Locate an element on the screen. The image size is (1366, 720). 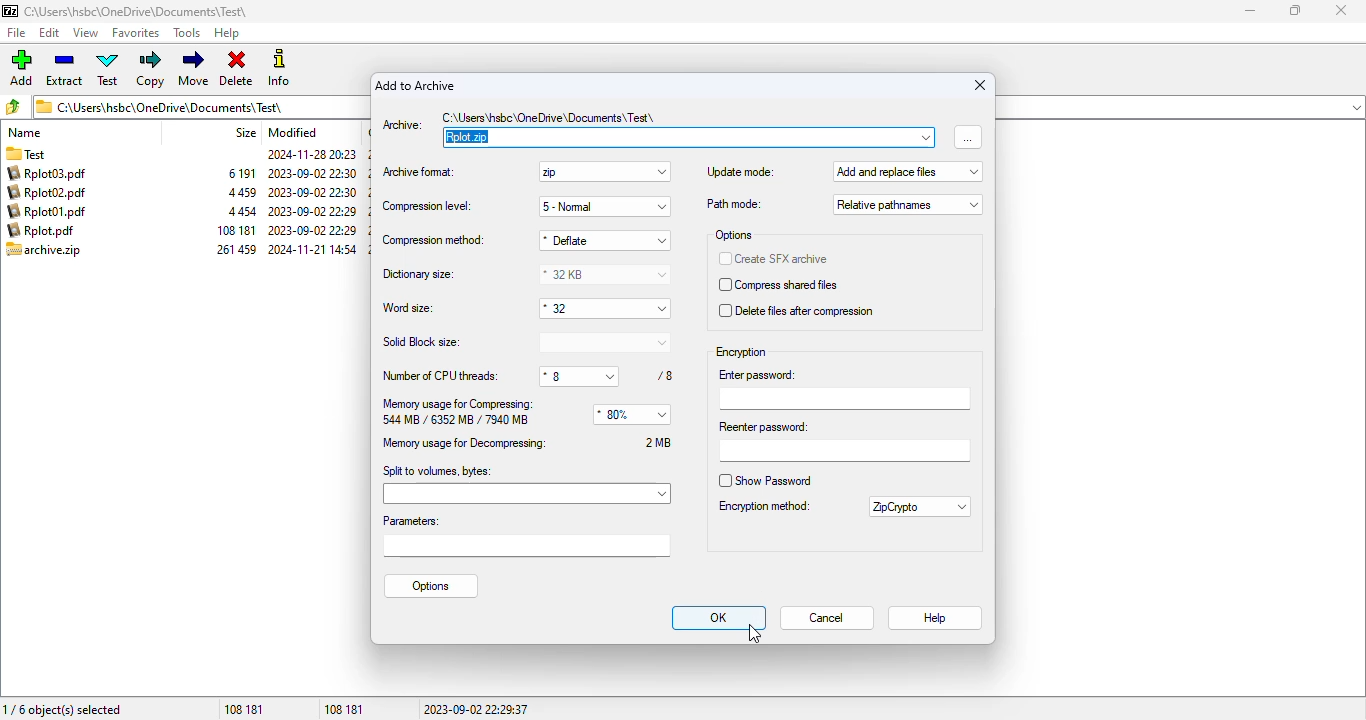
108 181 is located at coordinates (243, 708).